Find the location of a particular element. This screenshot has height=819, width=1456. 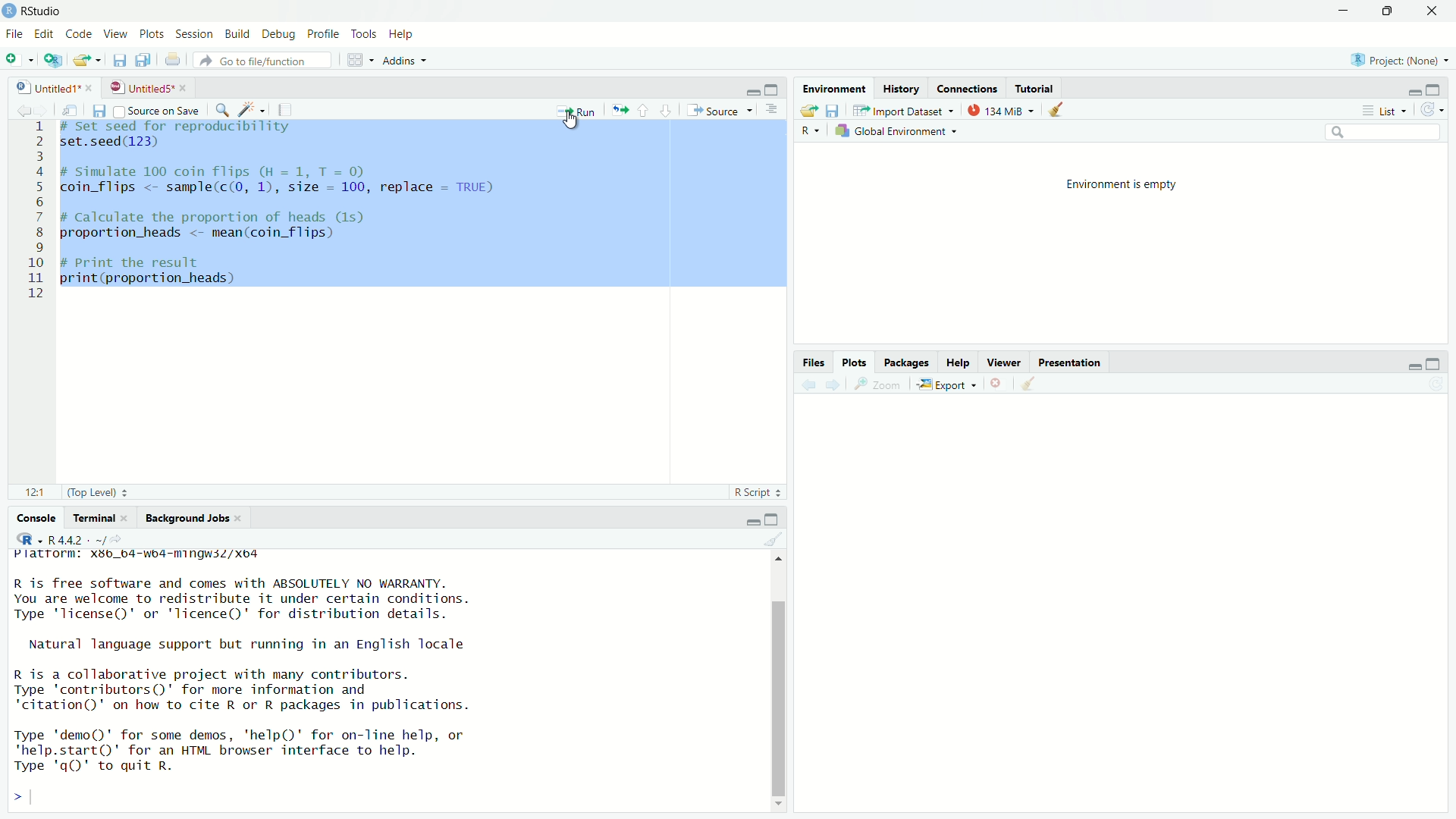

minimize is located at coordinates (1410, 364).